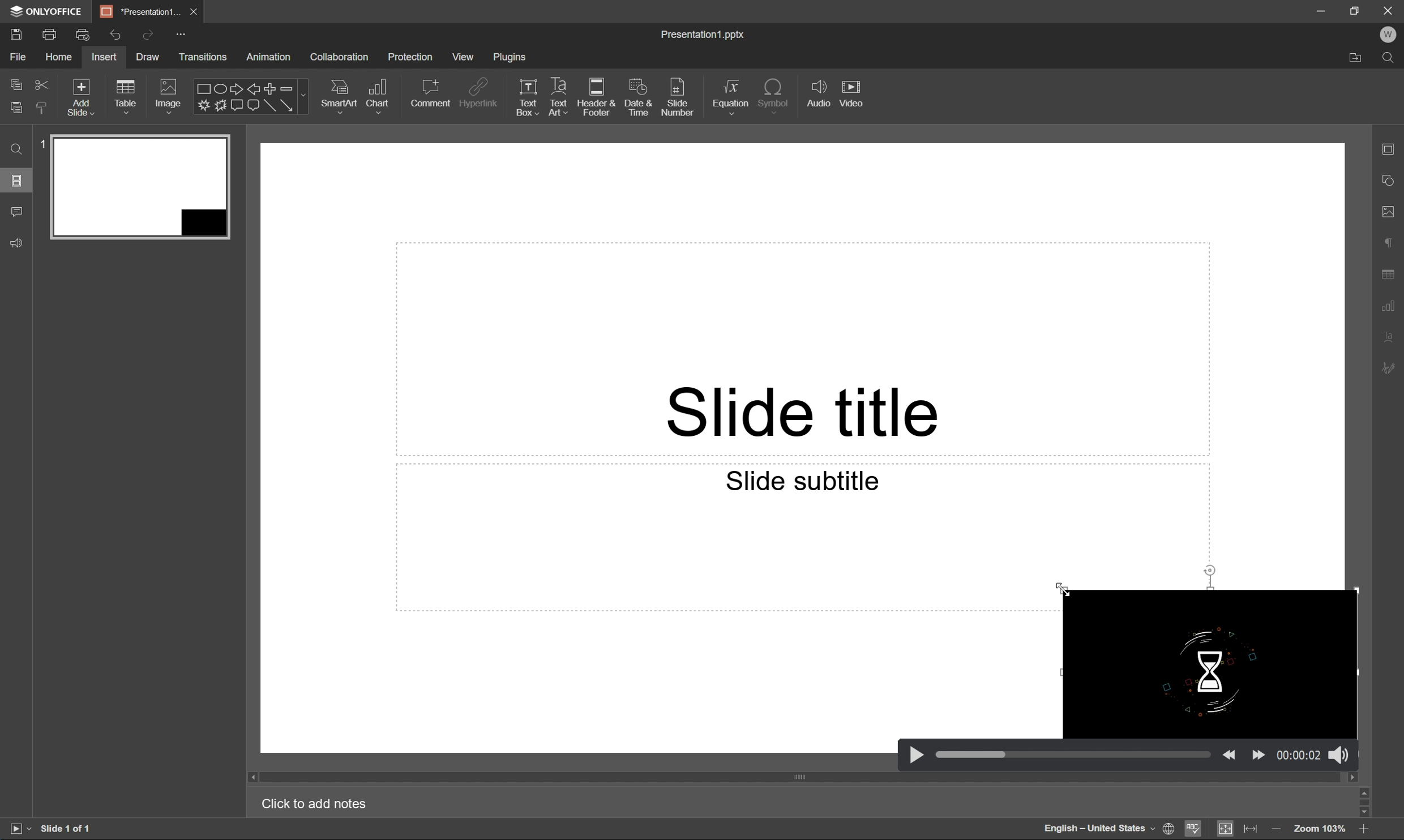 This screenshot has height=840, width=1404. What do you see at coordinates (82, 96) in the screenshot?
I see `add slide` at bounding box center [82, 96].